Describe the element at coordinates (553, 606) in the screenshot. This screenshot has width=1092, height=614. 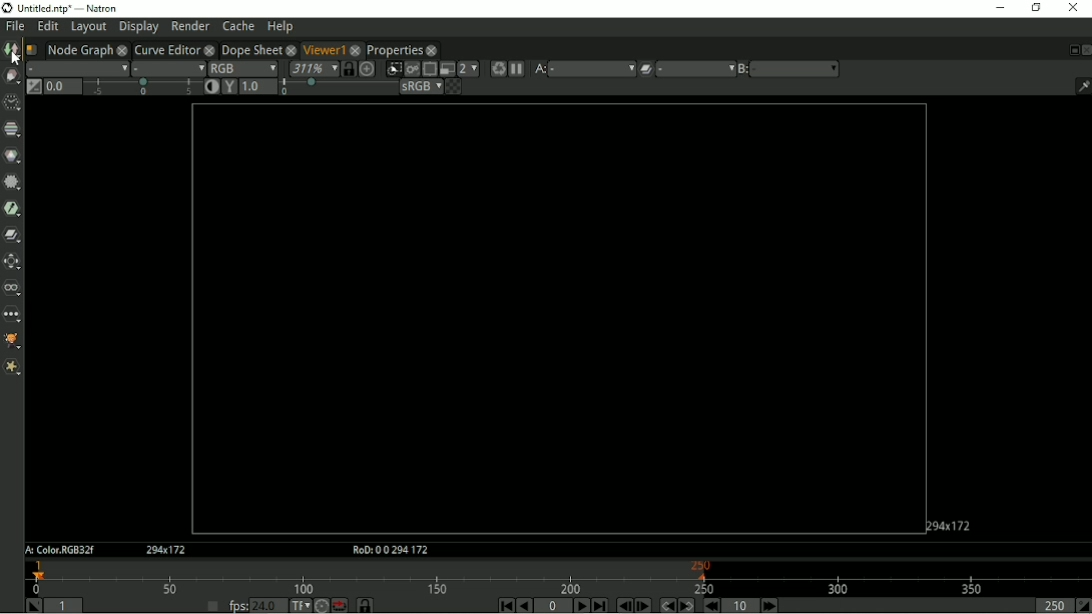
I see `Current frame` at that location.